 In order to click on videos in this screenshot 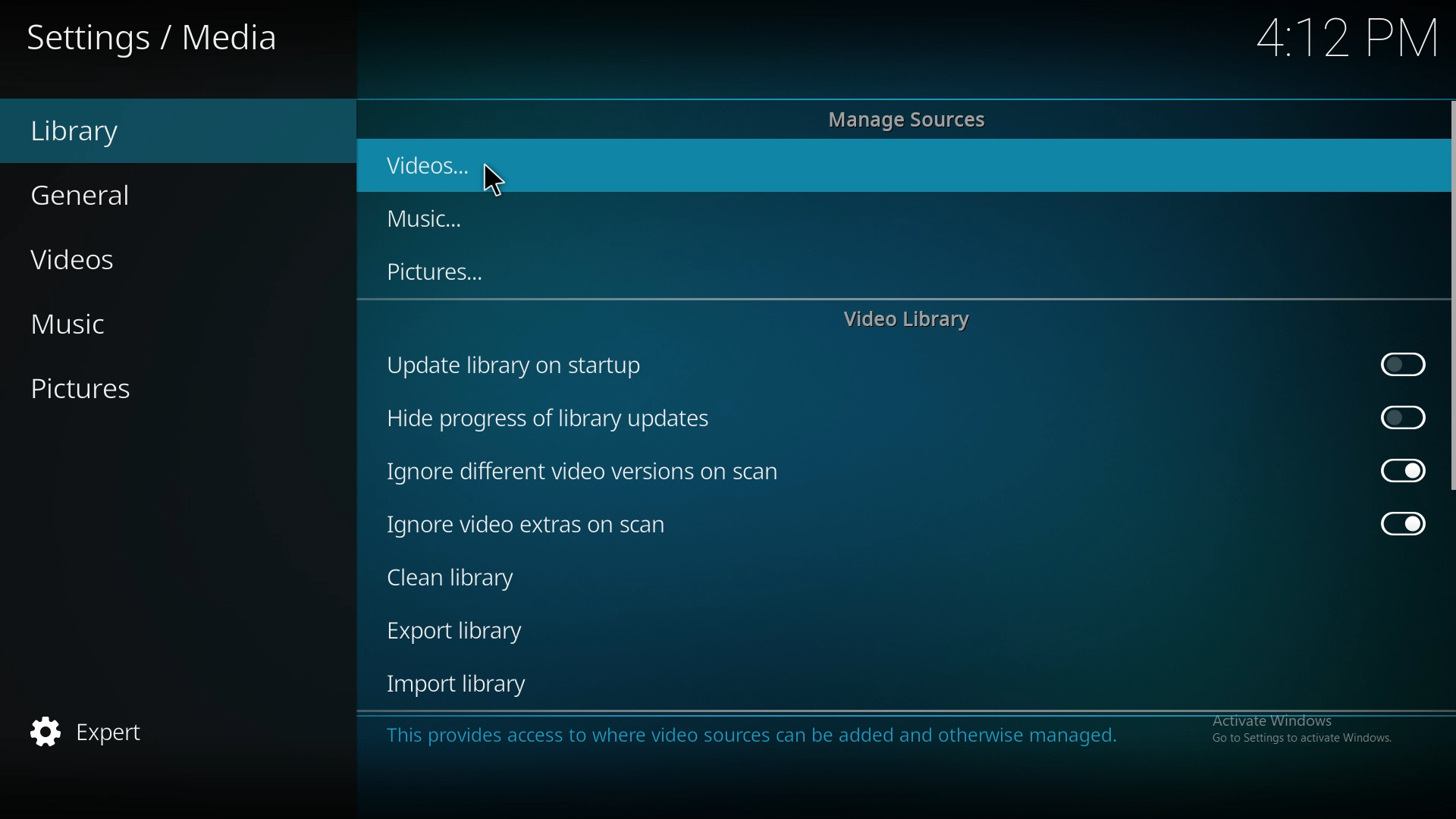, I will do `click(501, 167)`.